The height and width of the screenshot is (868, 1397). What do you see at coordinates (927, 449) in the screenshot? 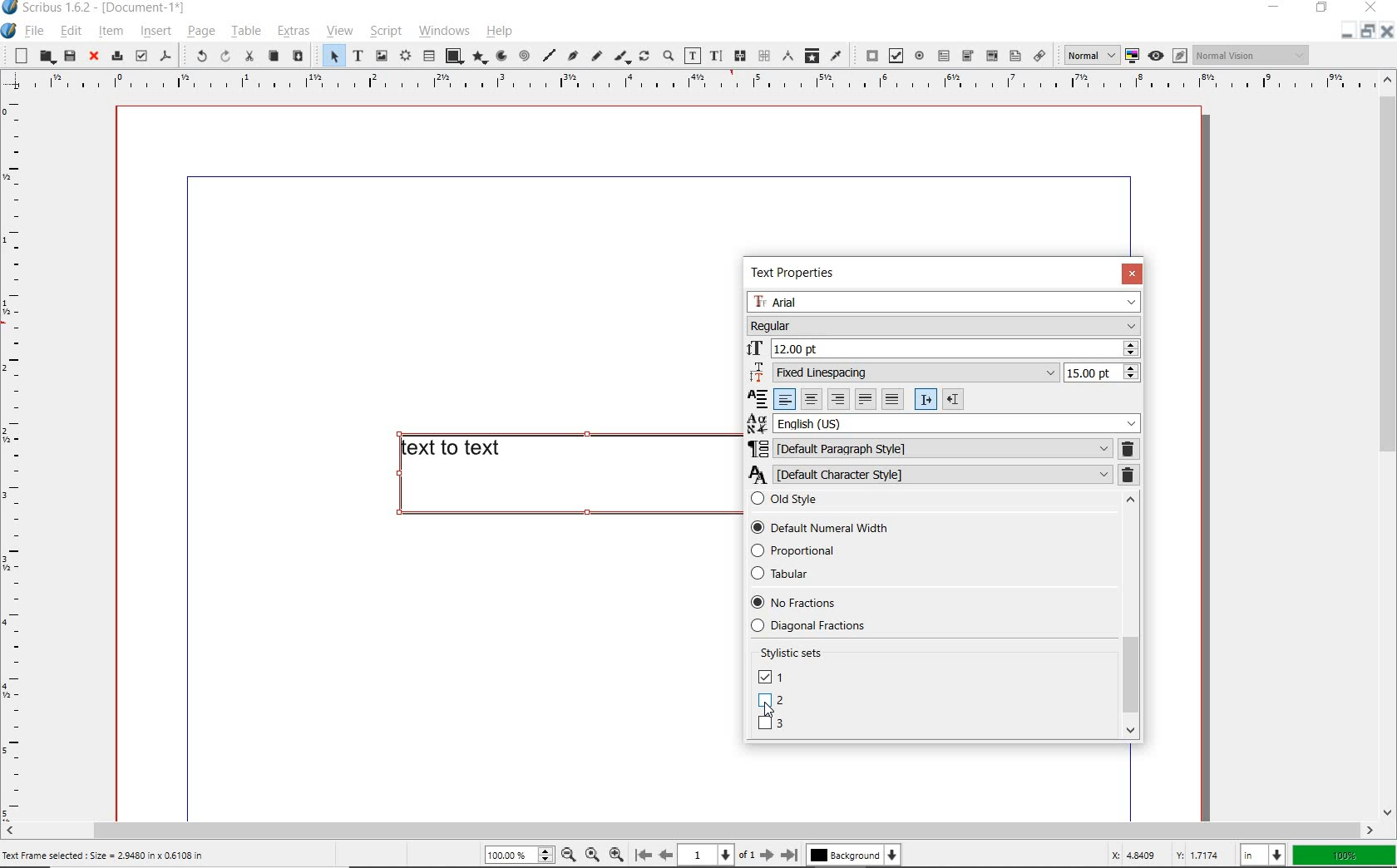
I see `DEFAULT PARAGRAPH STYLE` at bounding box center [927, 449].